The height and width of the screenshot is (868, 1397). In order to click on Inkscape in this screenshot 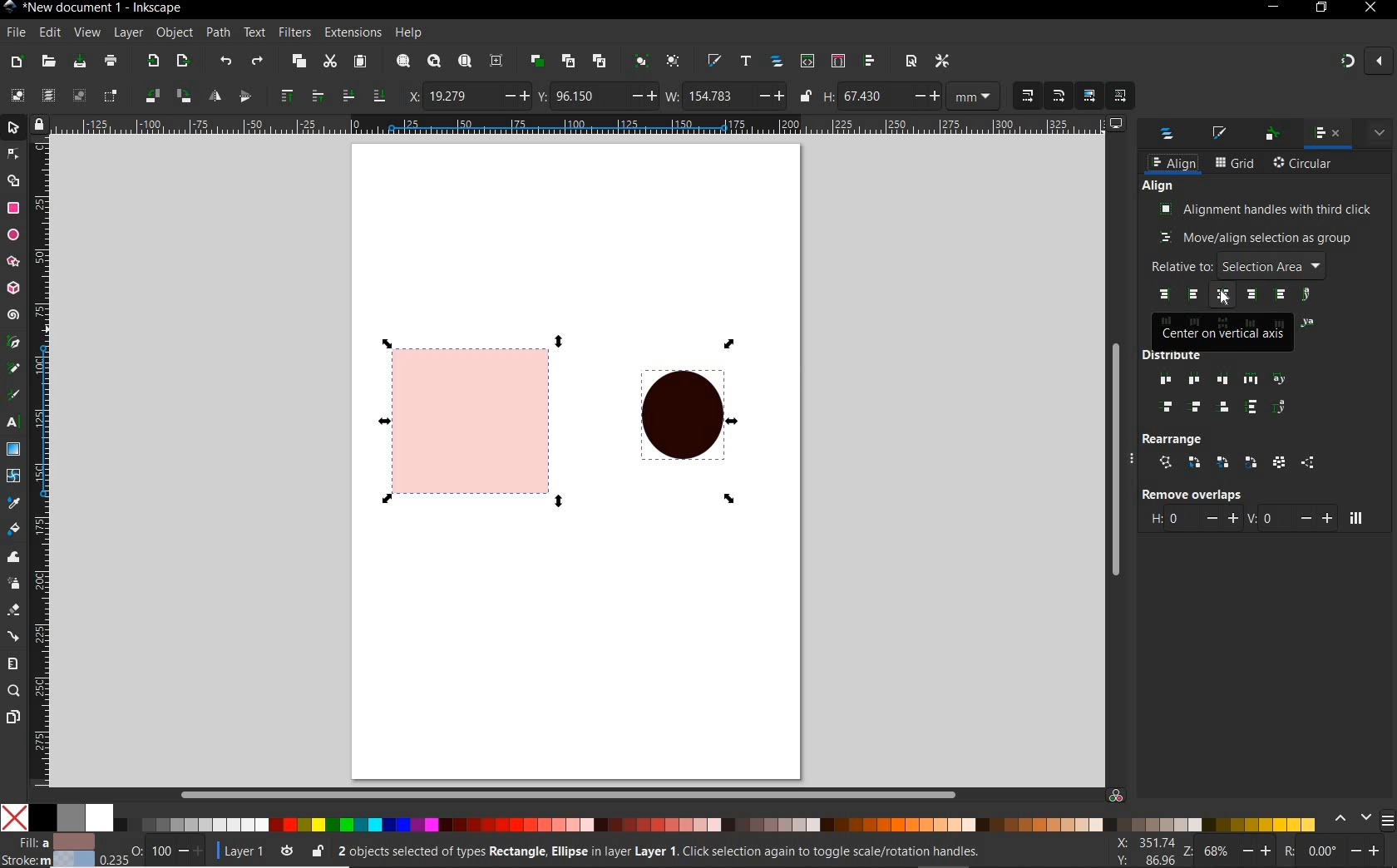, I will do `click(11, 8)`.